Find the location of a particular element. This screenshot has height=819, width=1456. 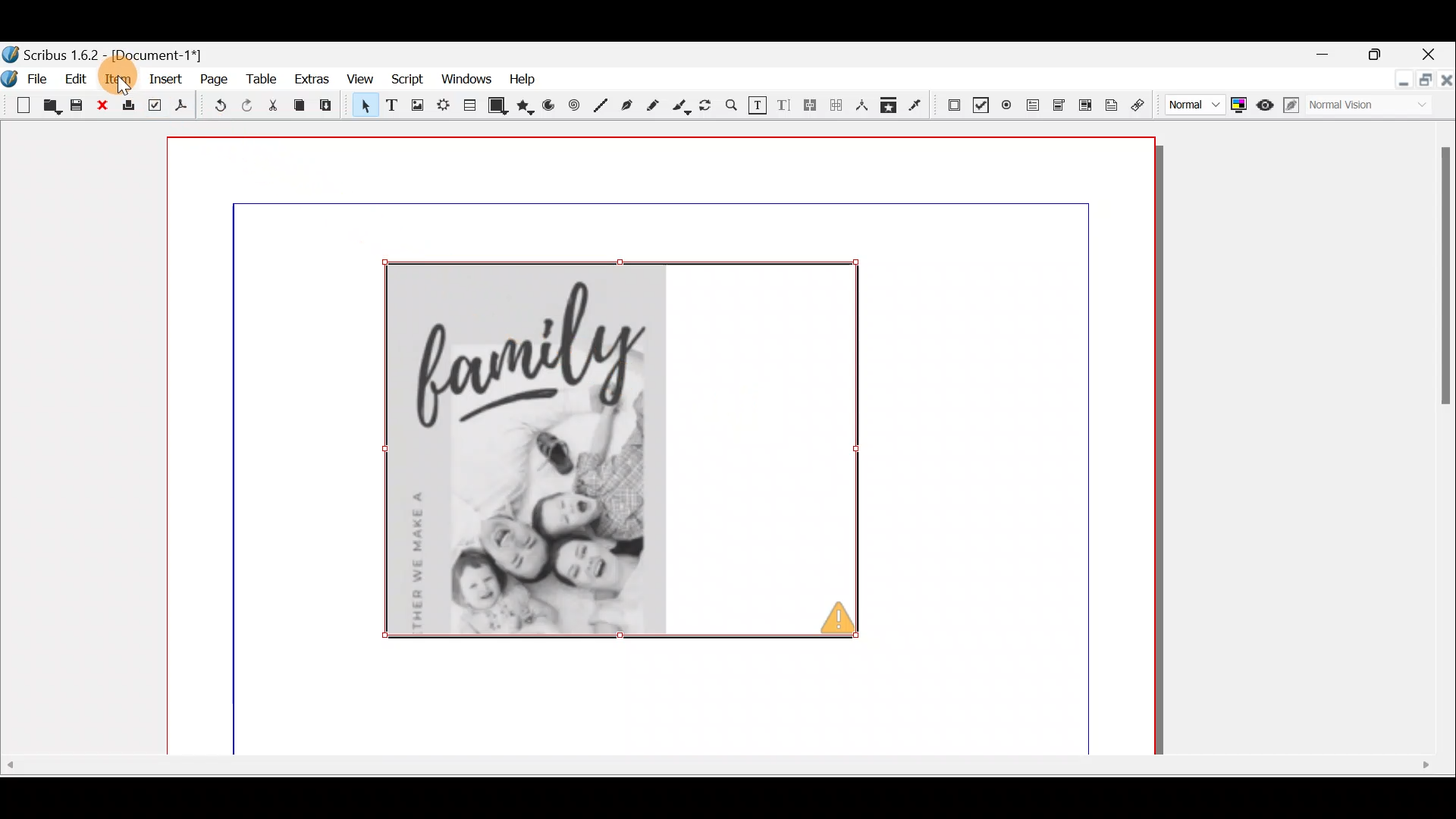

Close is located at coordinates (102, 106).